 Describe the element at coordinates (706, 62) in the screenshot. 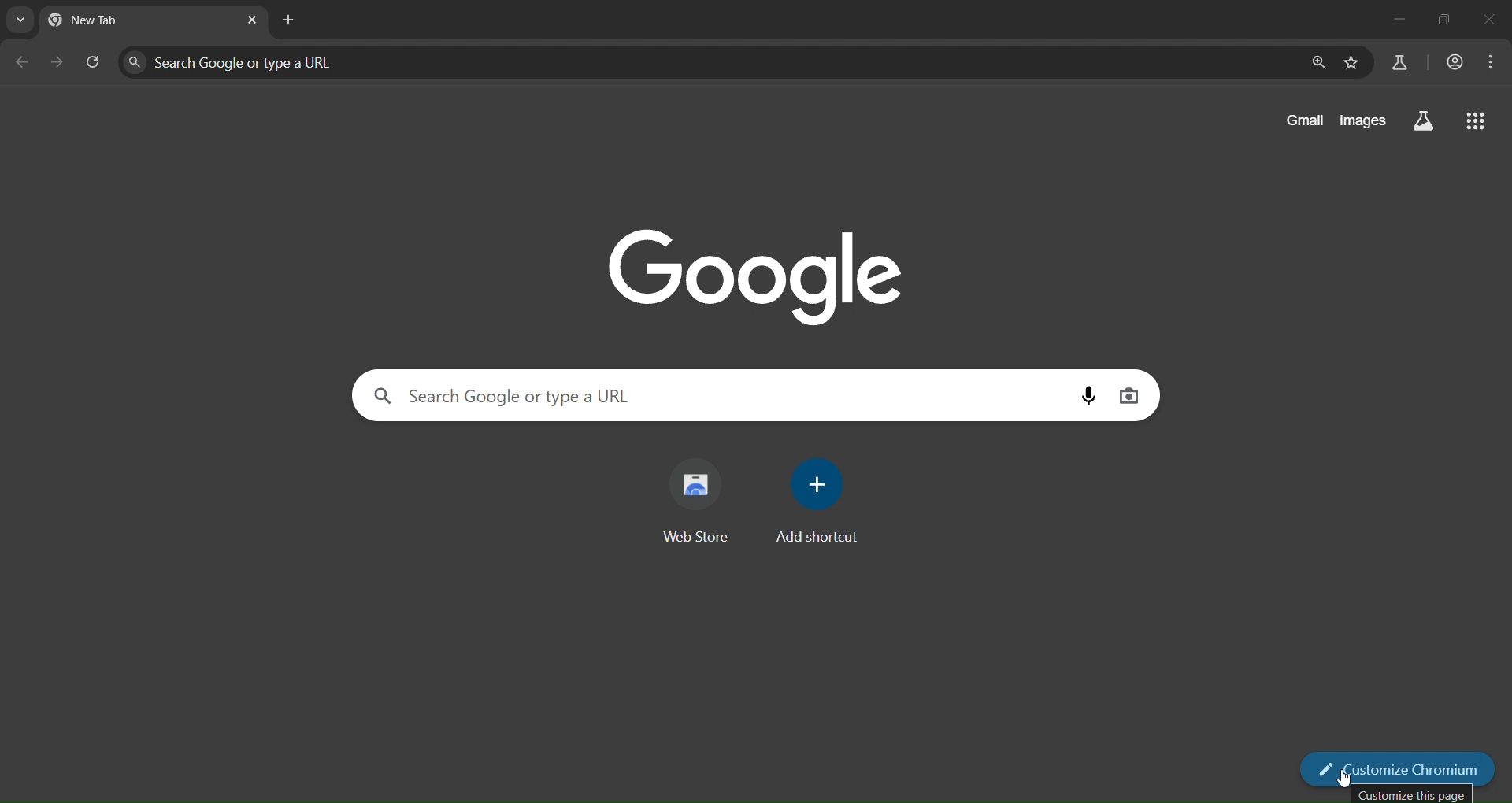

I see `Search google or type a URL` at that location.